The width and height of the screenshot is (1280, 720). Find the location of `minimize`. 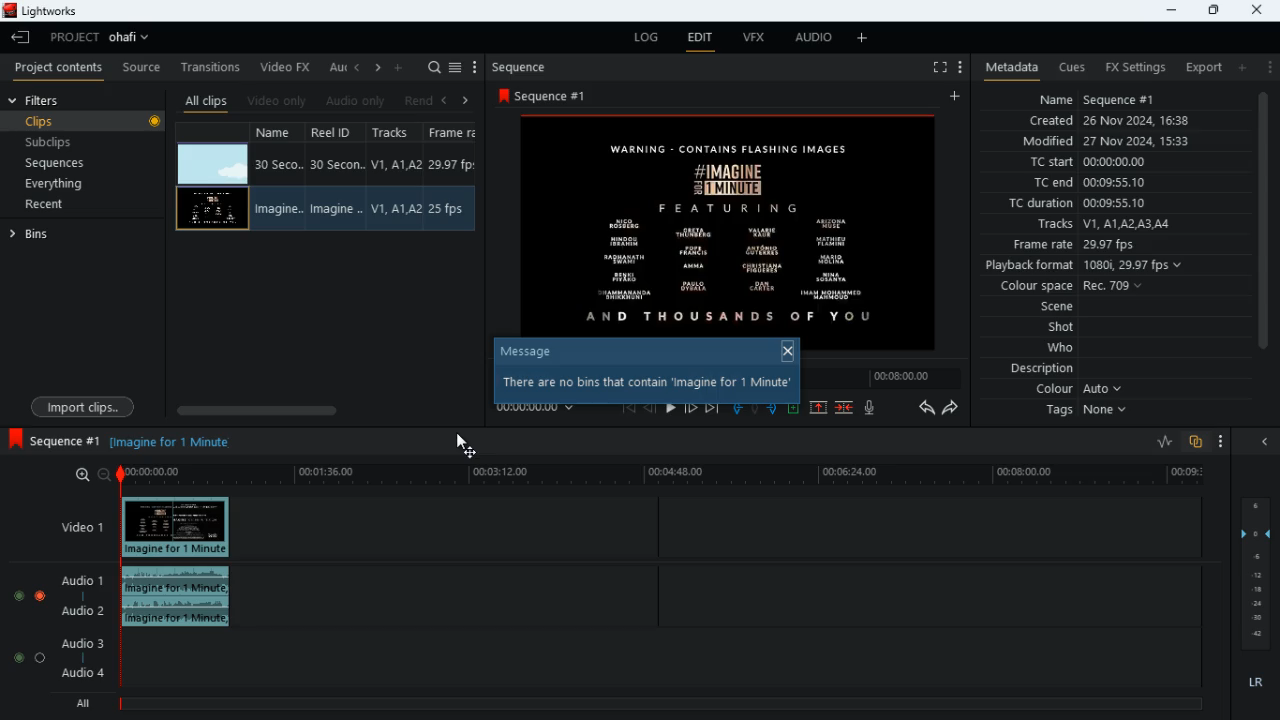

minimize is located at coordinates (1169, 11).